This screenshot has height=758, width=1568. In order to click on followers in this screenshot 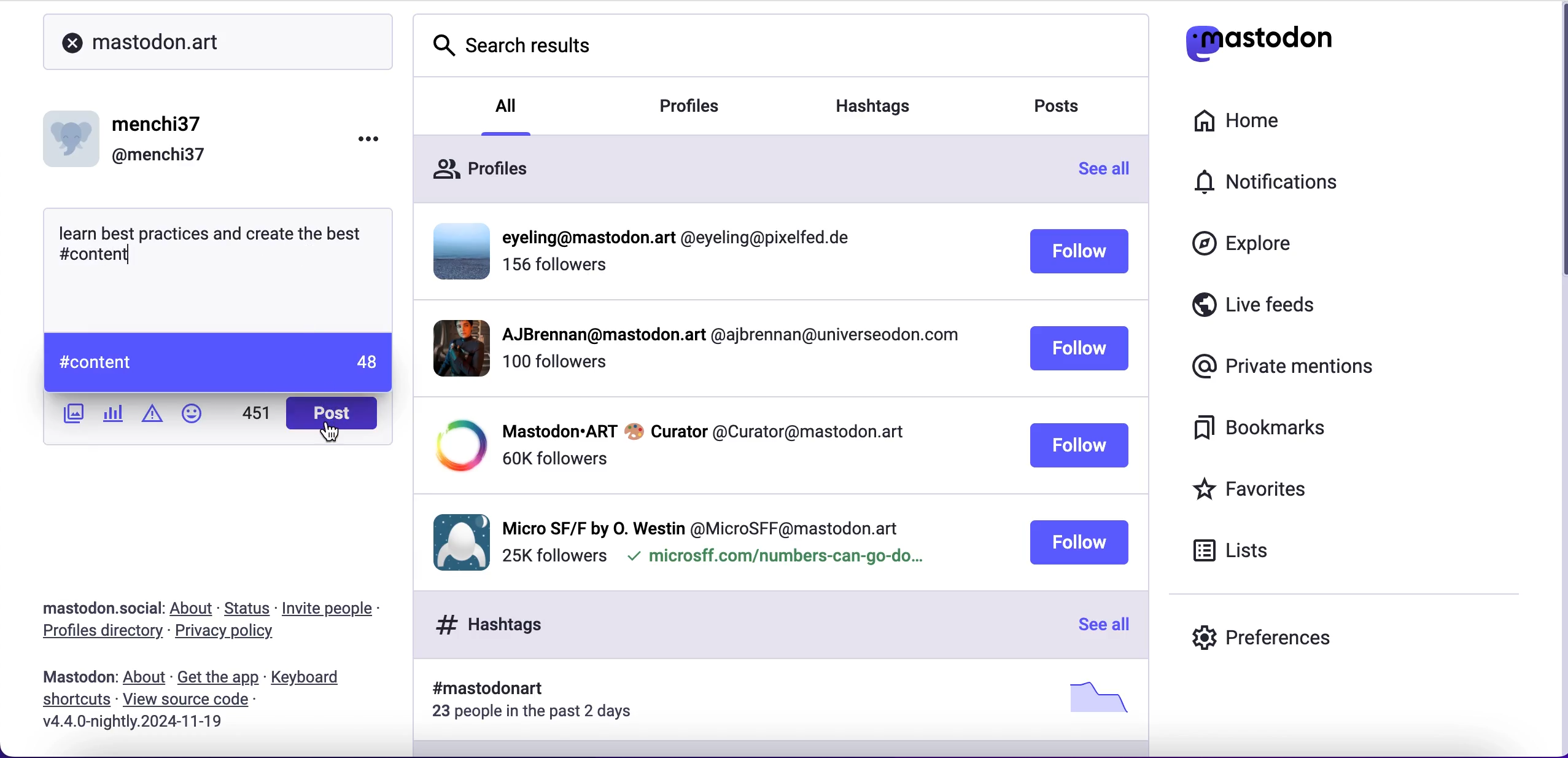, I will do `click(554, 368)`.